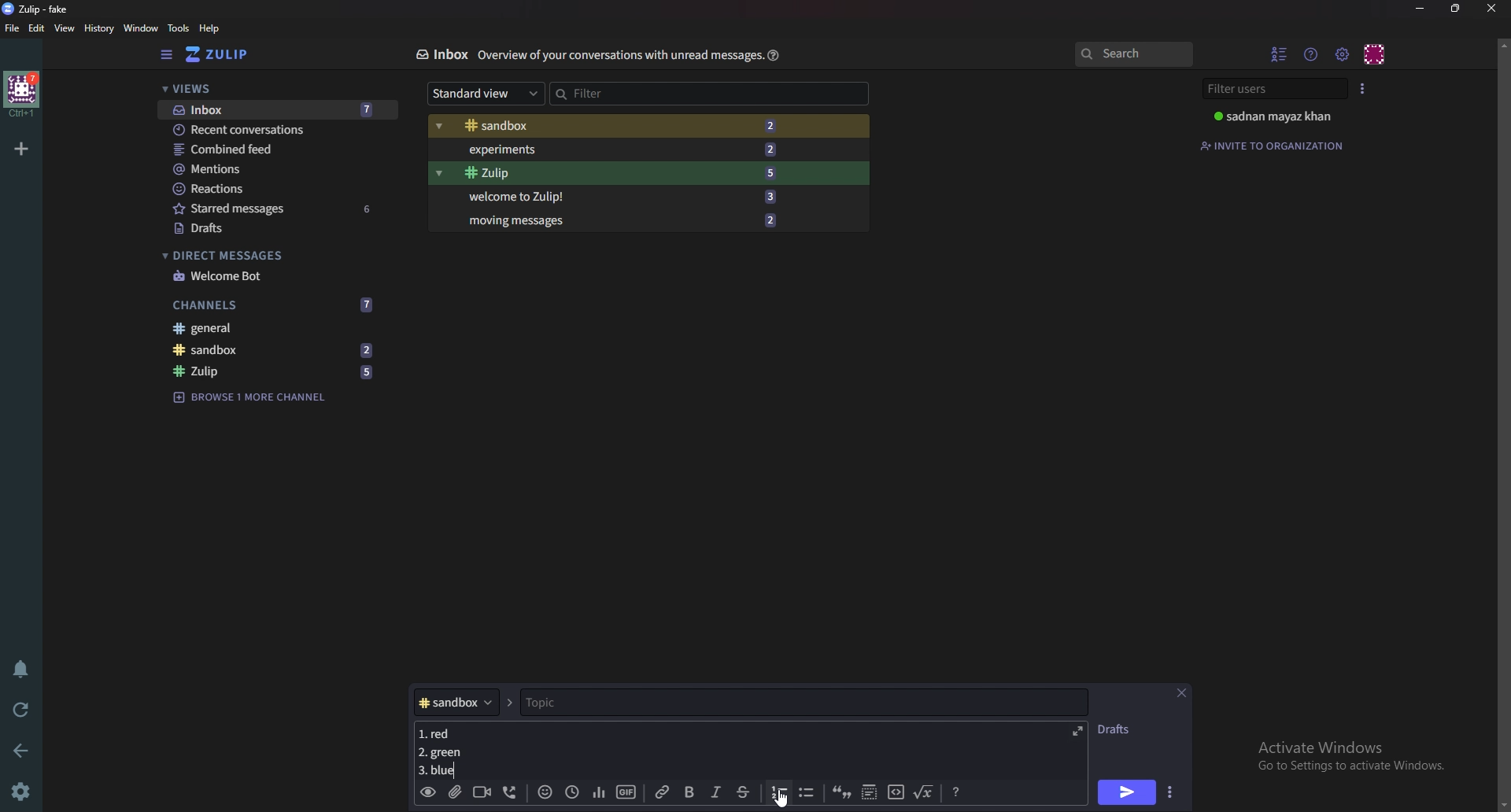 The height and width of the screenshot is (812, 1511). Describe the element at coordinates (1421, 8) in the screenshot. I see `Minimize` at that location.